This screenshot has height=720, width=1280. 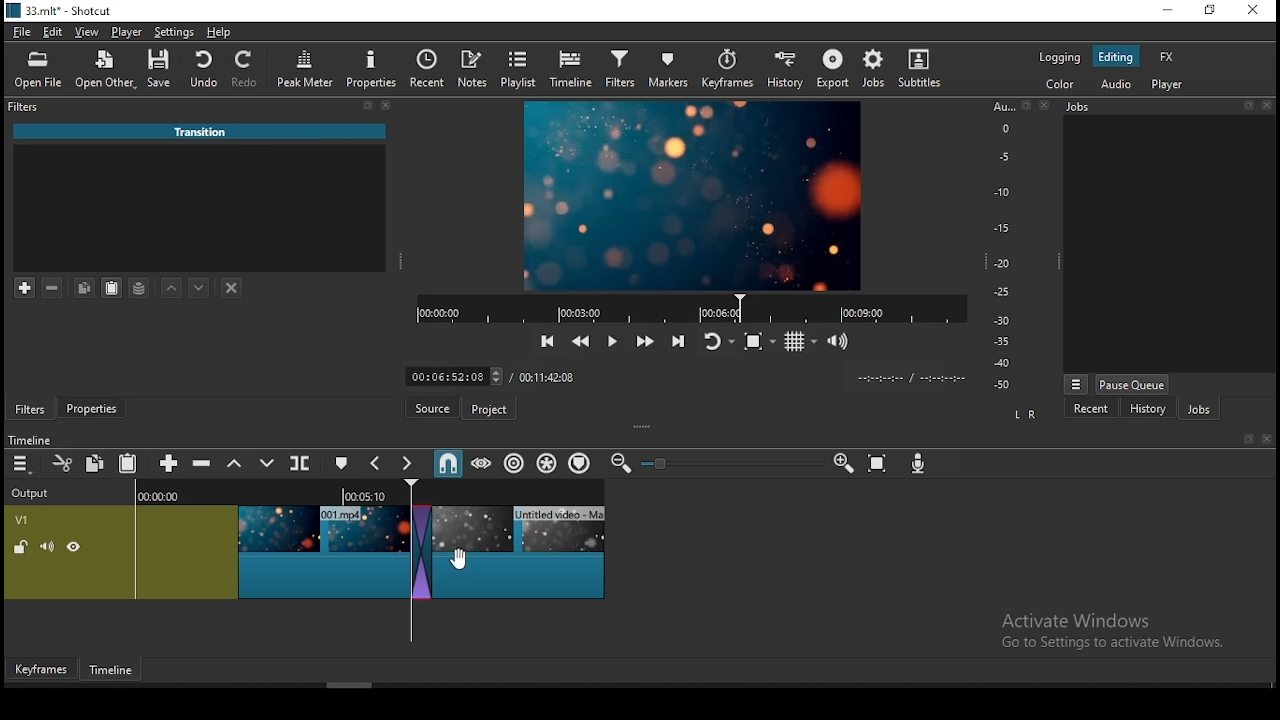 What do you see at coordinates (115, 289) in the screenshot?
I see `paste filter` at bounding box center [115, 289].